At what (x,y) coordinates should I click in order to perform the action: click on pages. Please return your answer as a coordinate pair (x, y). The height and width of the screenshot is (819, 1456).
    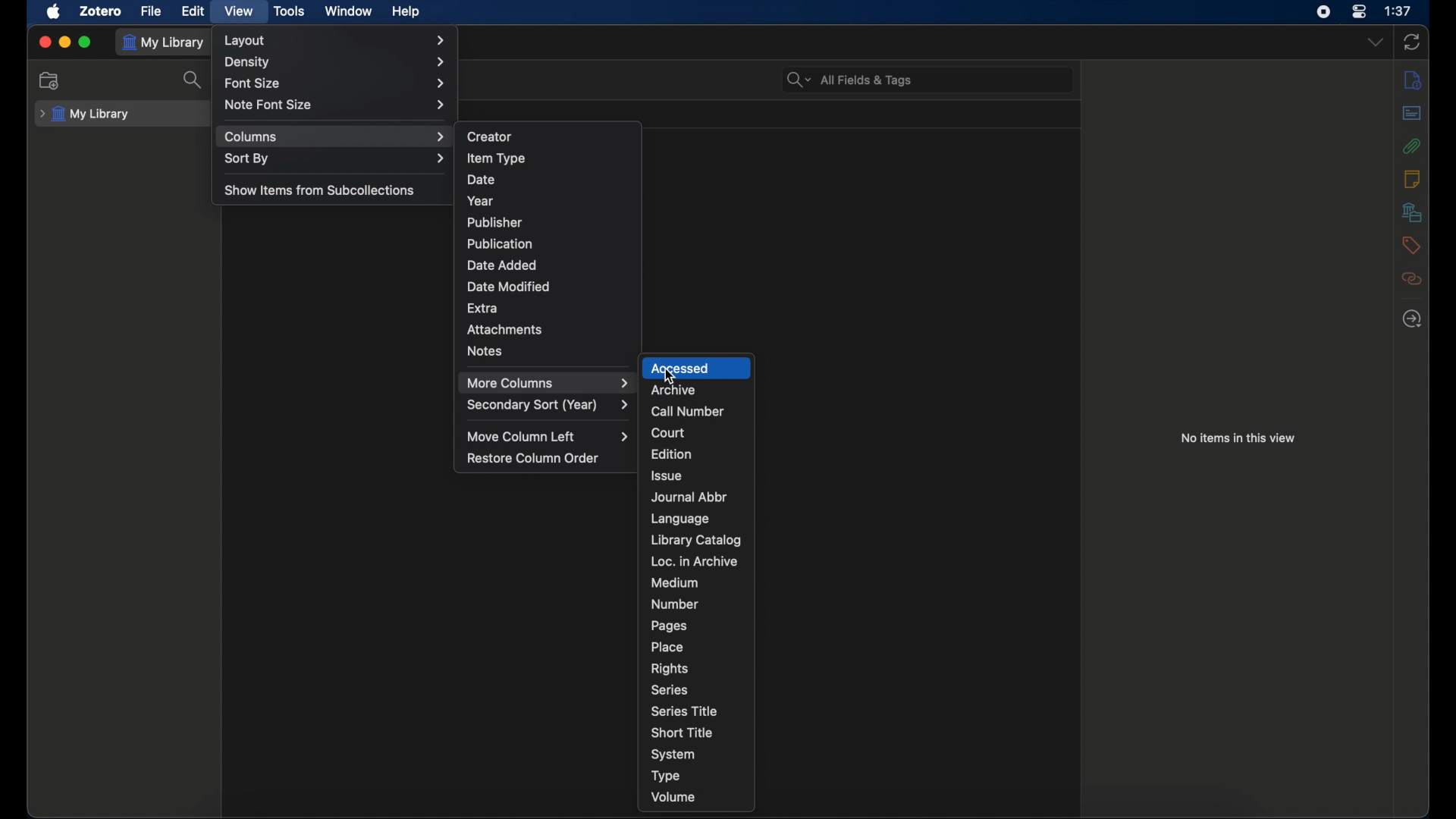
    Looking at the image, I should click on (669, 626).